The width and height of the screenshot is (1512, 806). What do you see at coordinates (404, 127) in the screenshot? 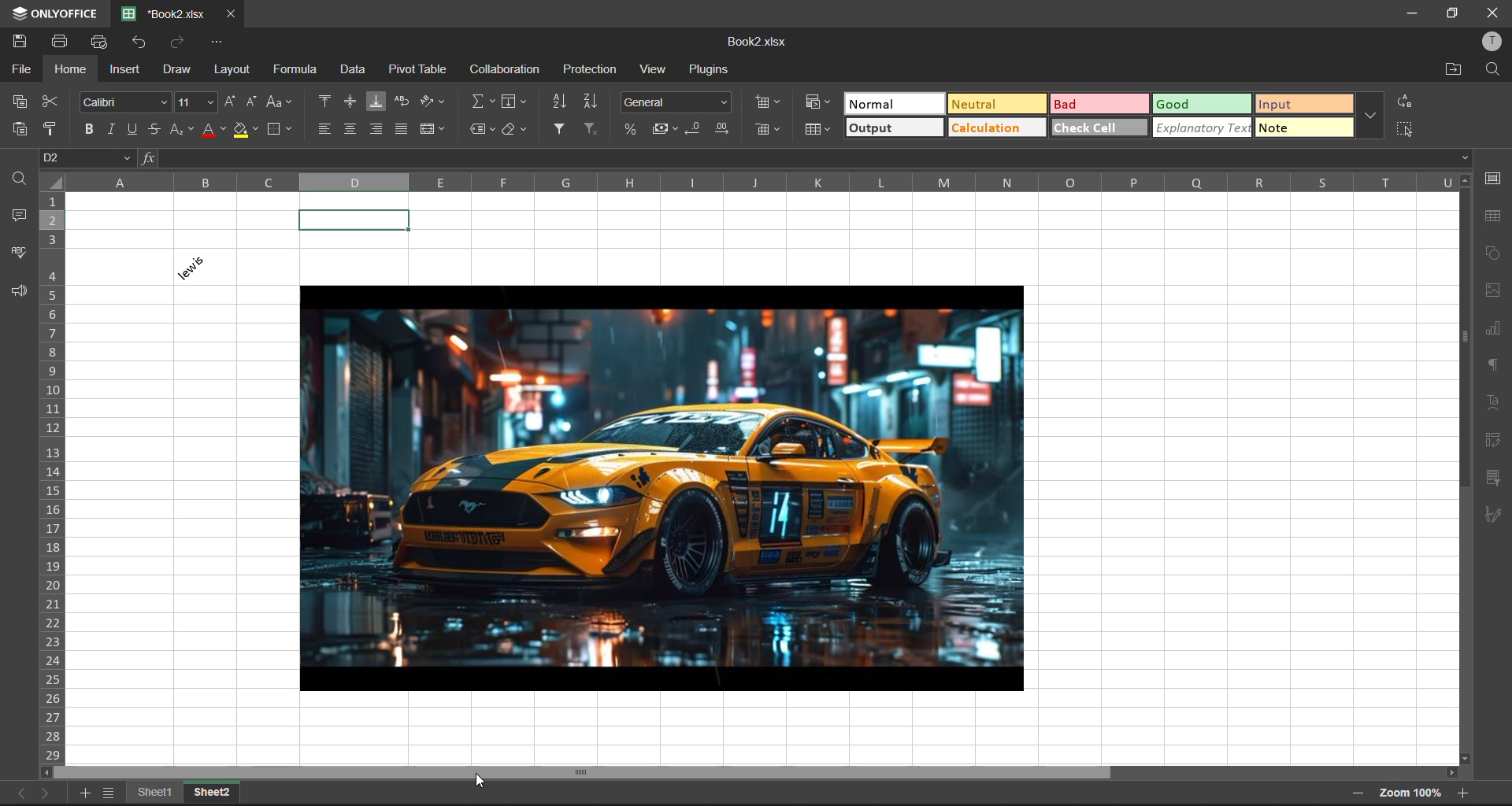
I see `justified` at bounding box center [404, 127].